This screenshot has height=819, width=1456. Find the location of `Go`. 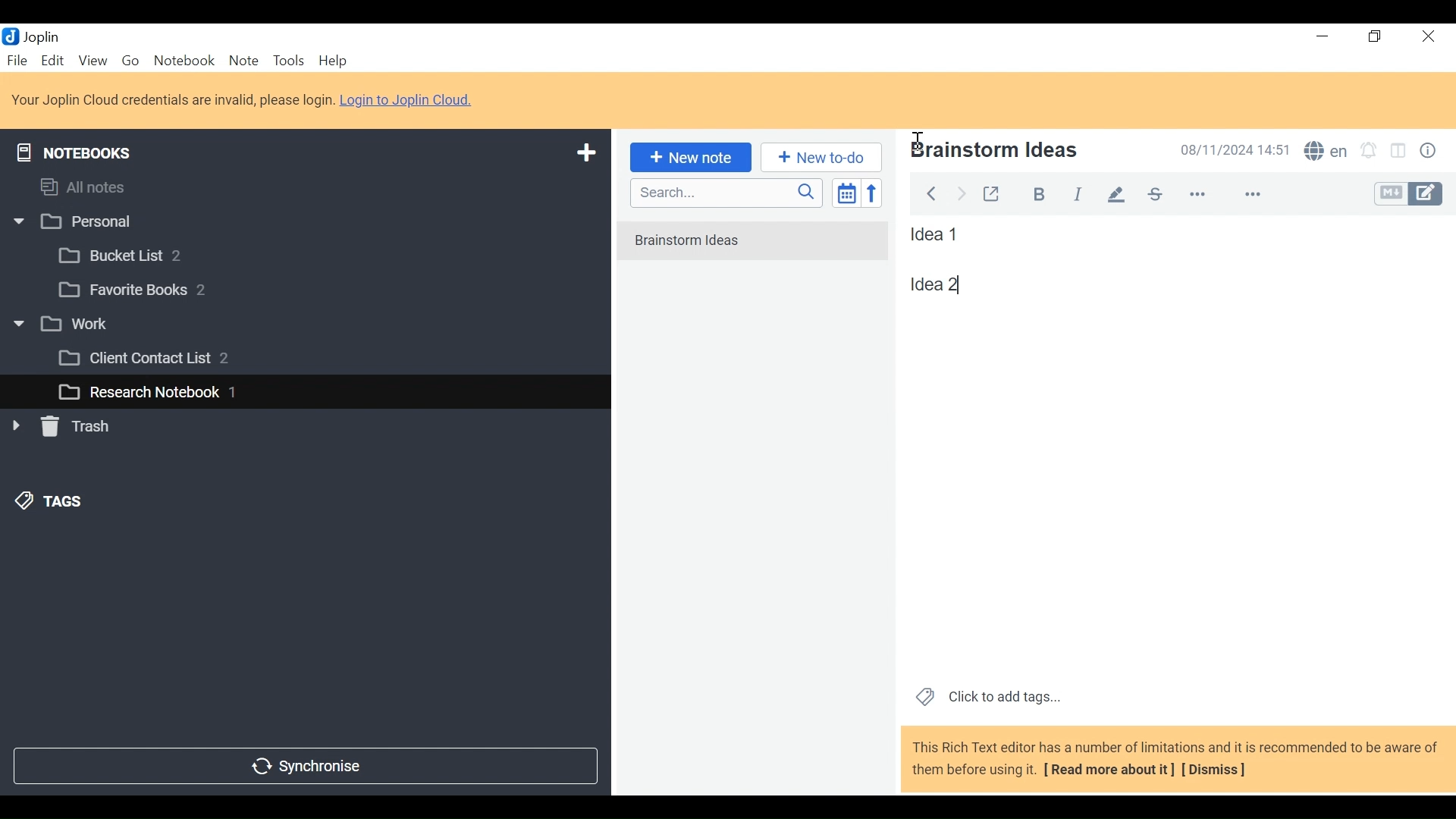

Go is located at coordinates (130, 59).